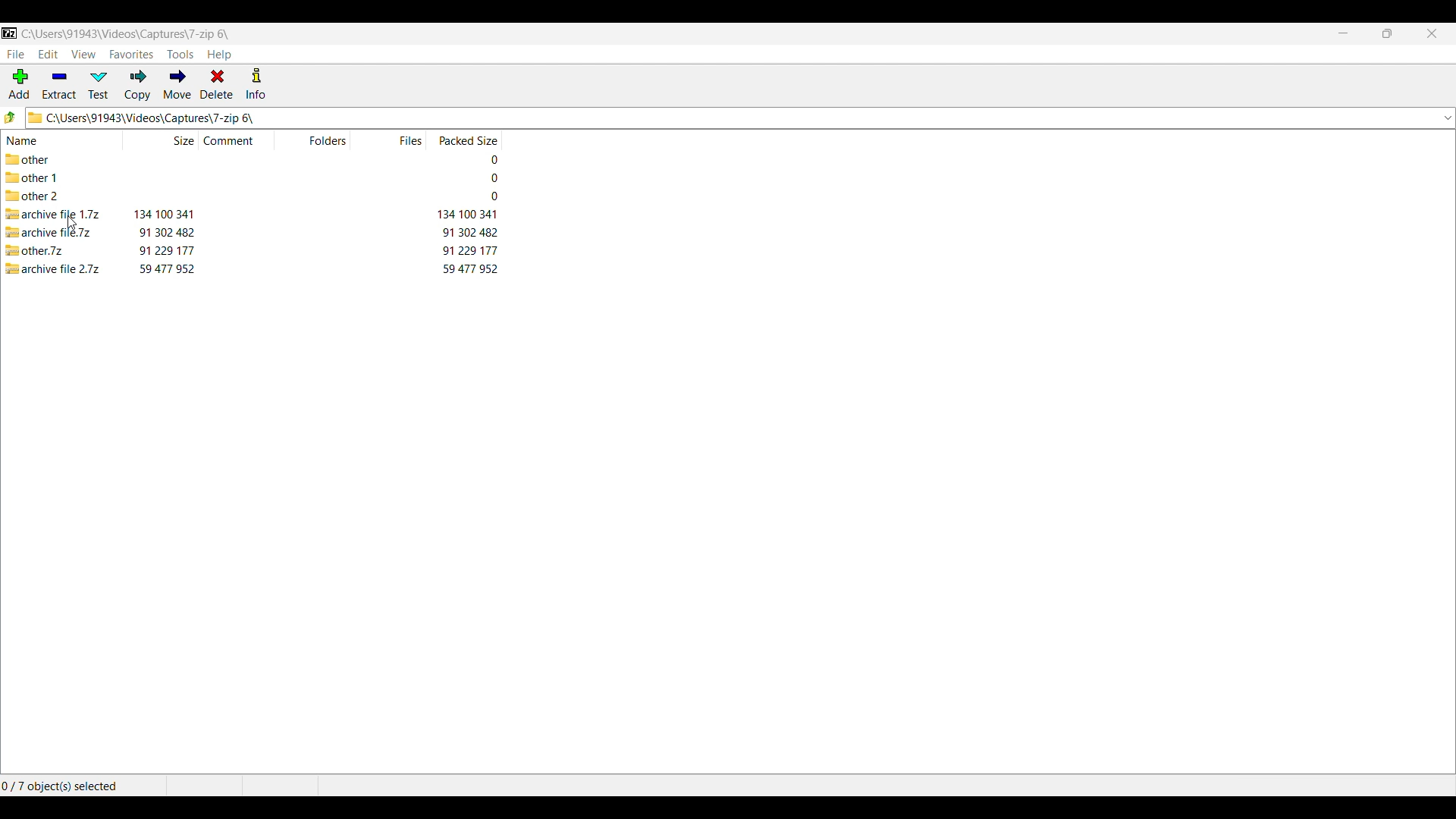  I want to click on Resize, so click(1387, 33).